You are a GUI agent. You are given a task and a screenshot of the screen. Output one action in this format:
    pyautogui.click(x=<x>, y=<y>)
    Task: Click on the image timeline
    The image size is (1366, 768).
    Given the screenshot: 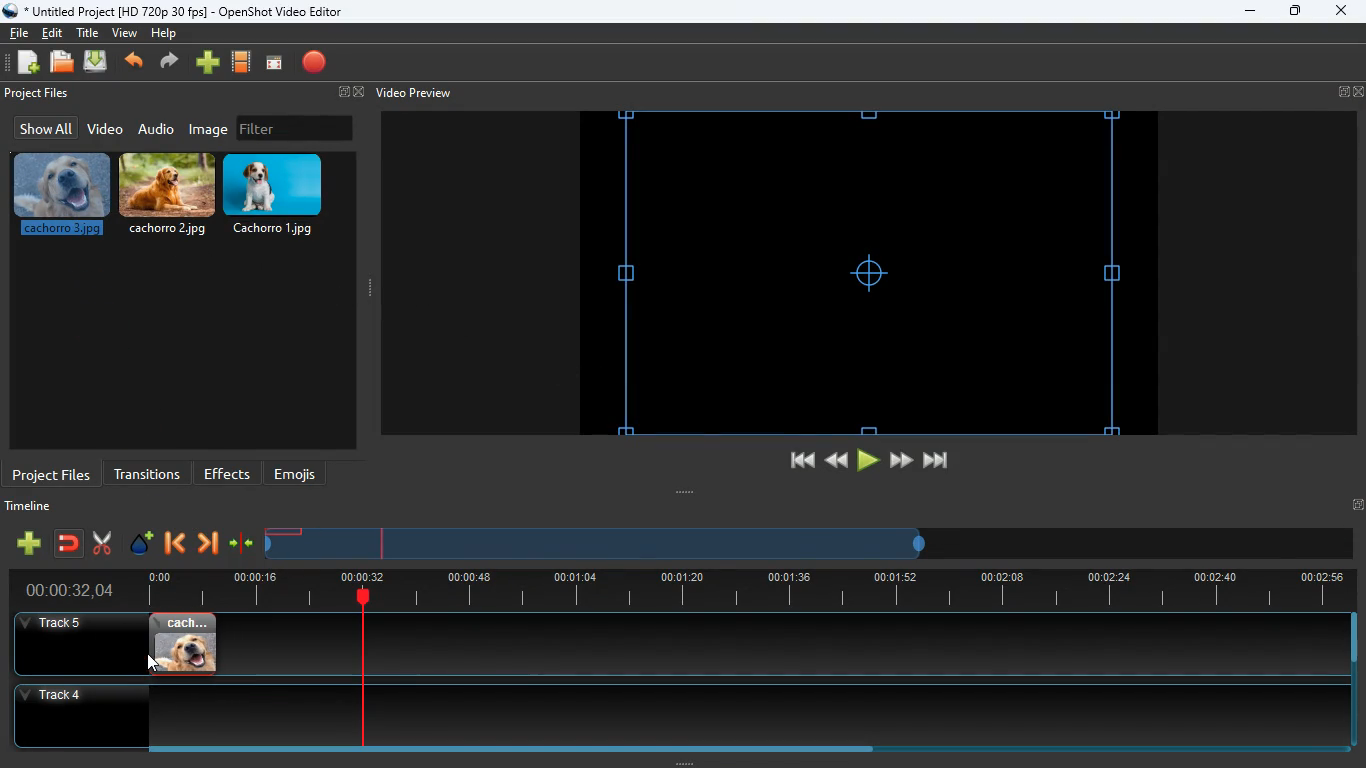 What is the action you would take?
    pyautogui.click(x=284, y=532)
    